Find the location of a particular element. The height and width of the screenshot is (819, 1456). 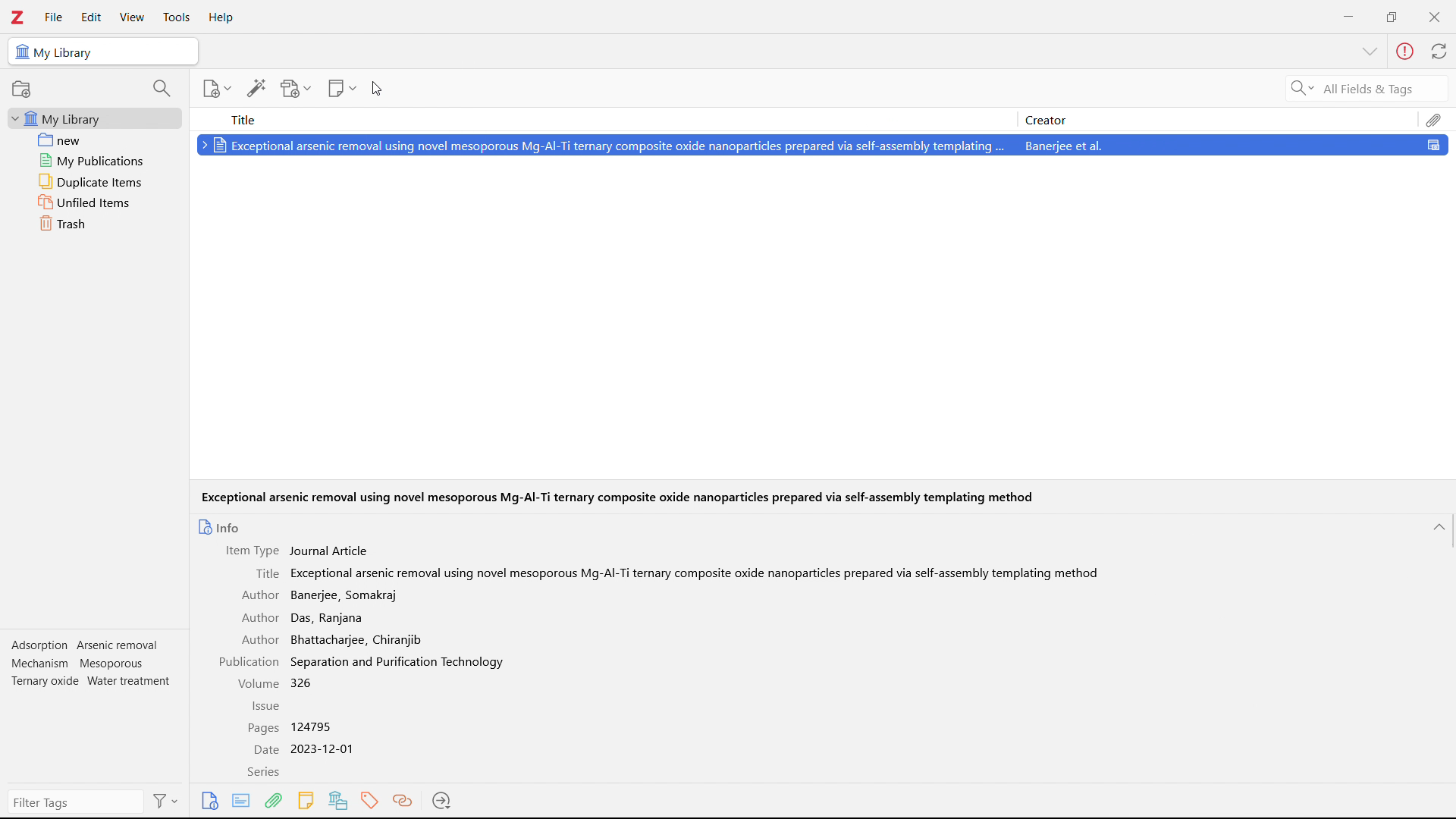

tags is located at coordinates (371, 801).